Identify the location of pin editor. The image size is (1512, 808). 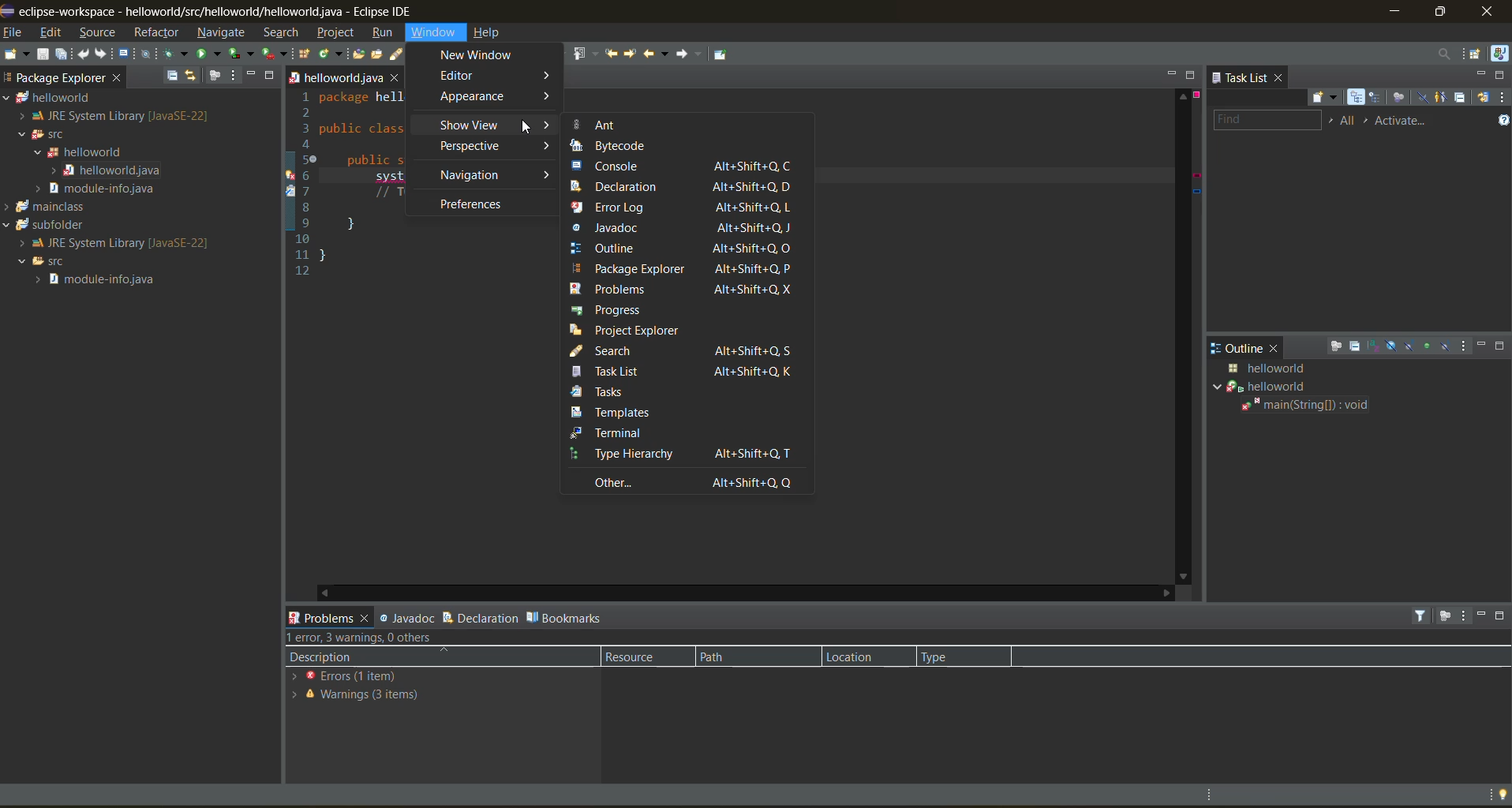
(720, 54).